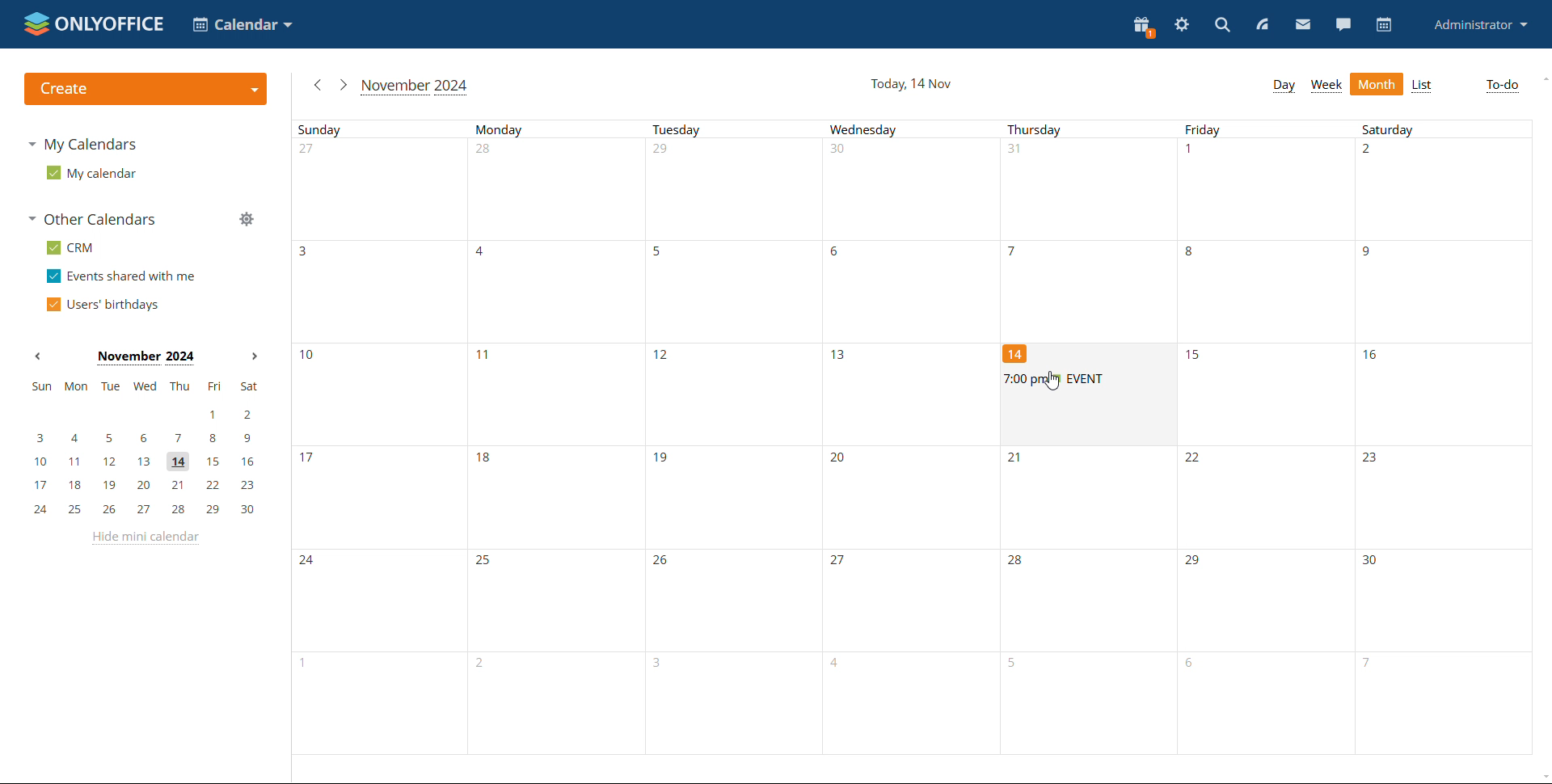  What do you see at coordinates (485, 461) in the screenshot?
I see `number` at bounding box center [485, 461].